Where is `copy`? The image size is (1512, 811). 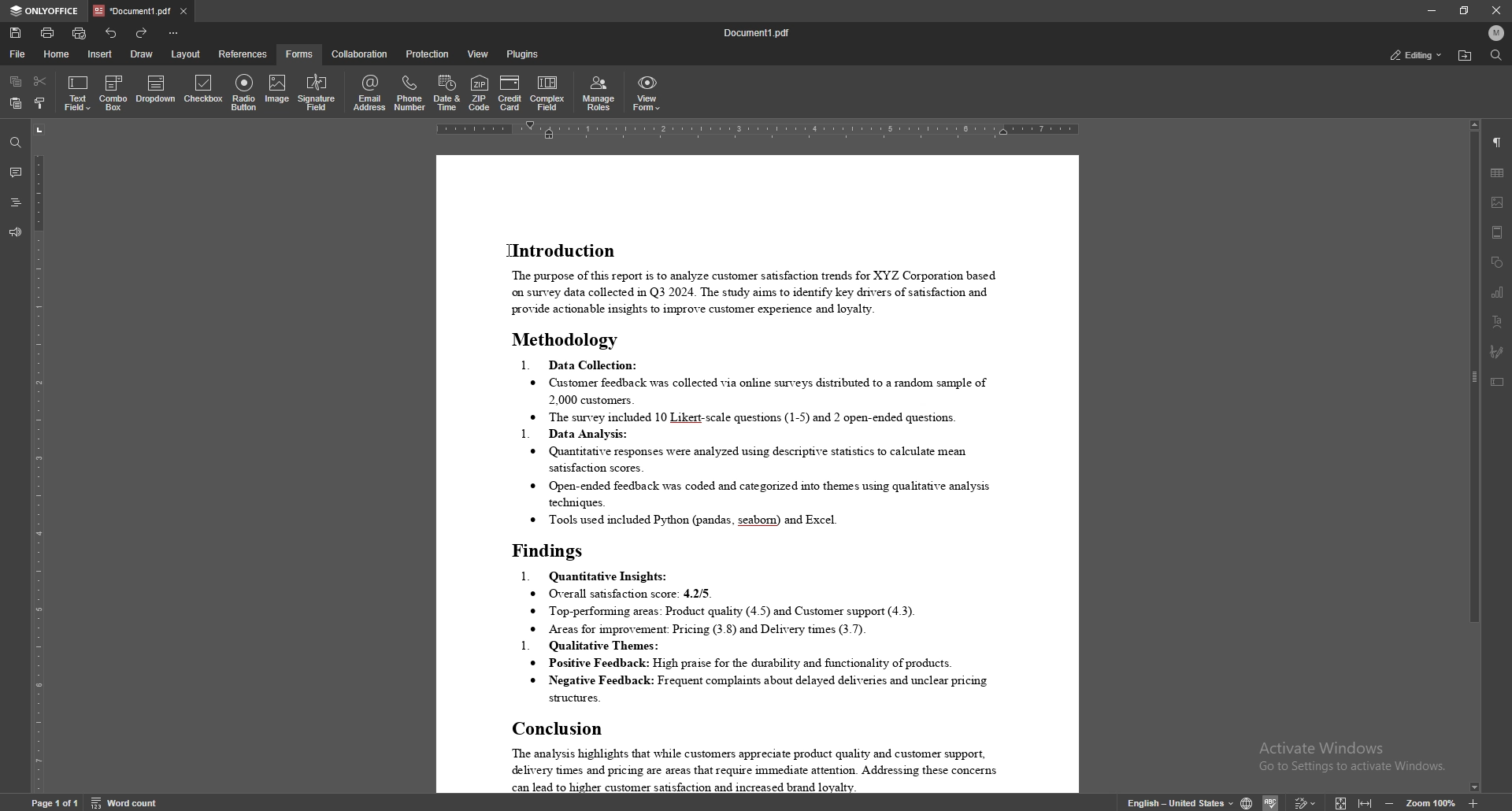
copy is located at coordinates (17, 80).